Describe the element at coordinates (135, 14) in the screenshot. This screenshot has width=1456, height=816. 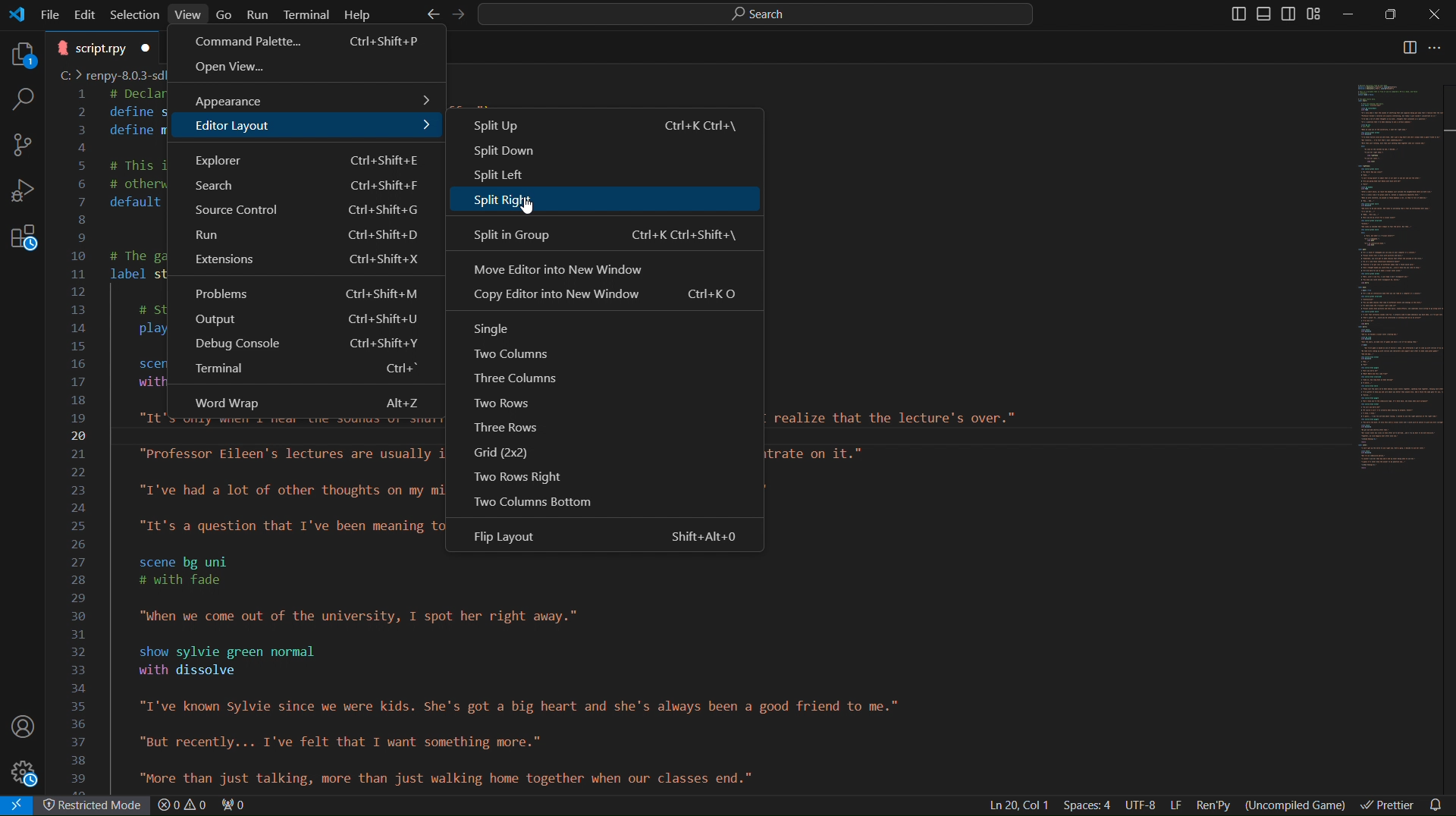
I see `Selection` at that location.